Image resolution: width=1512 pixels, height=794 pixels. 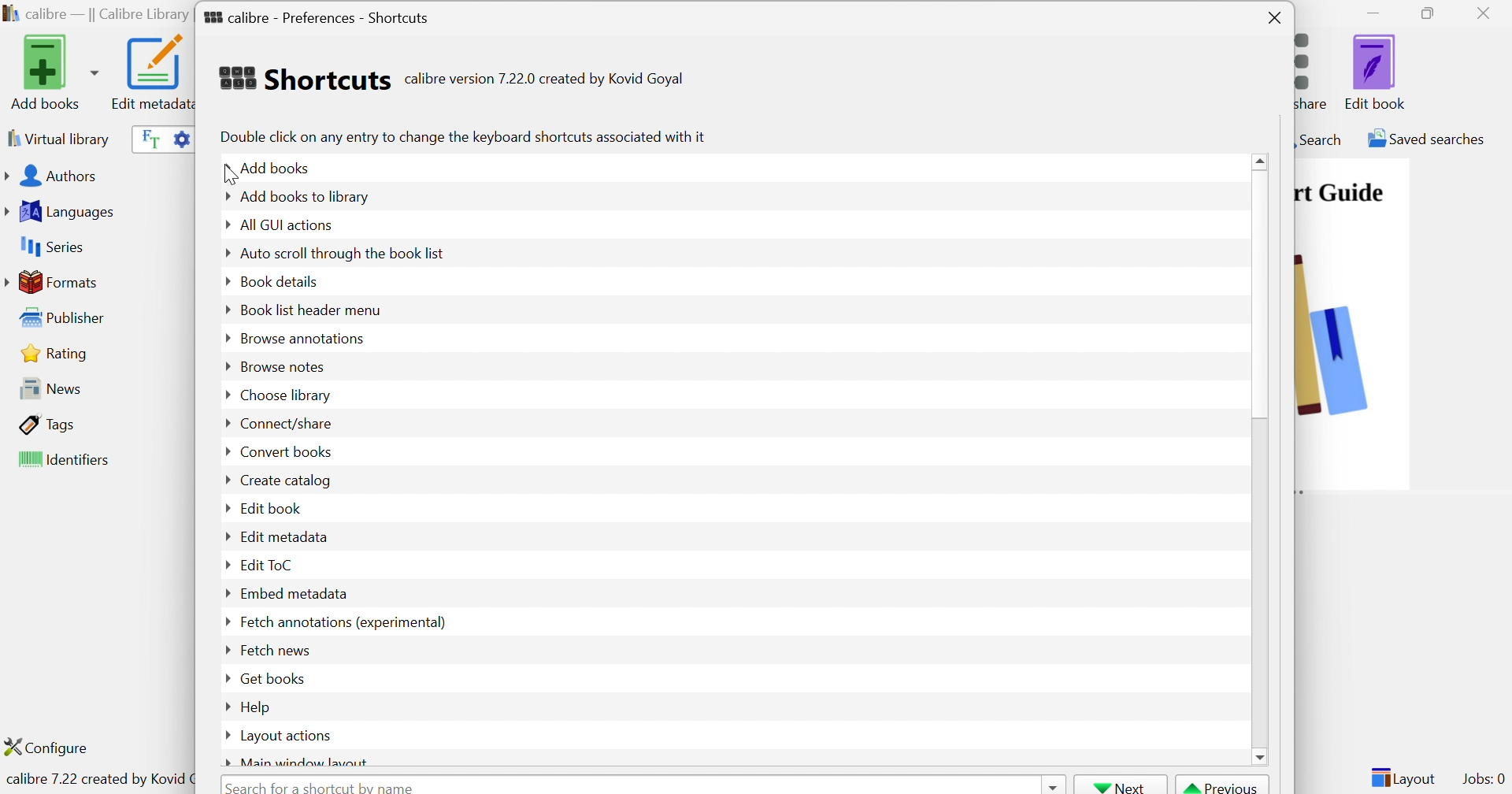 What do you see at coordinates (225, 339) in the screenshot?
I see `Drop Down` at bounding box center [225, 339].